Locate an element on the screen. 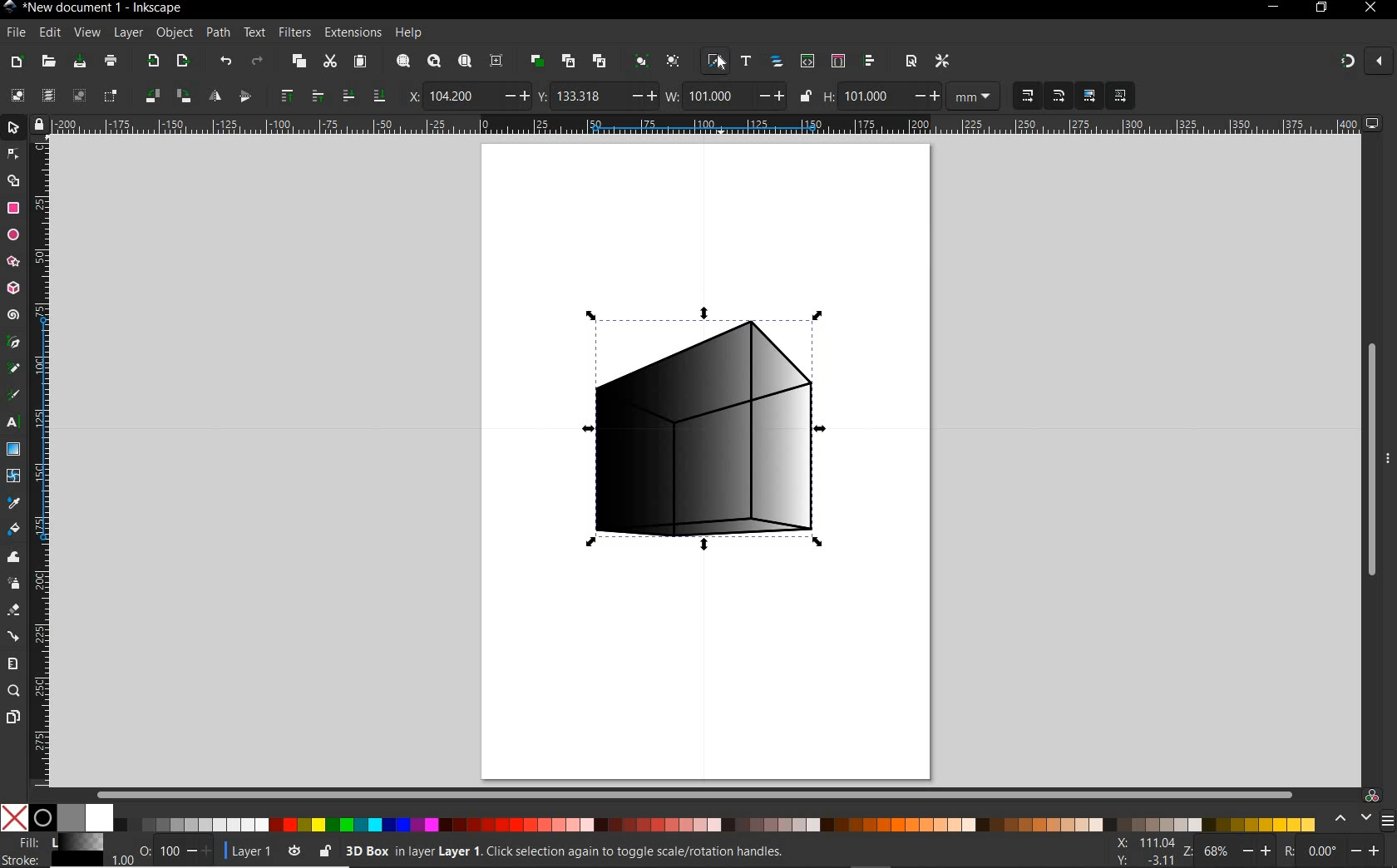 The height and width of the screenshot is (868, 1397). LOCK OR UNLOCK CURRENT LAYER is located at coordinates (325, 852).